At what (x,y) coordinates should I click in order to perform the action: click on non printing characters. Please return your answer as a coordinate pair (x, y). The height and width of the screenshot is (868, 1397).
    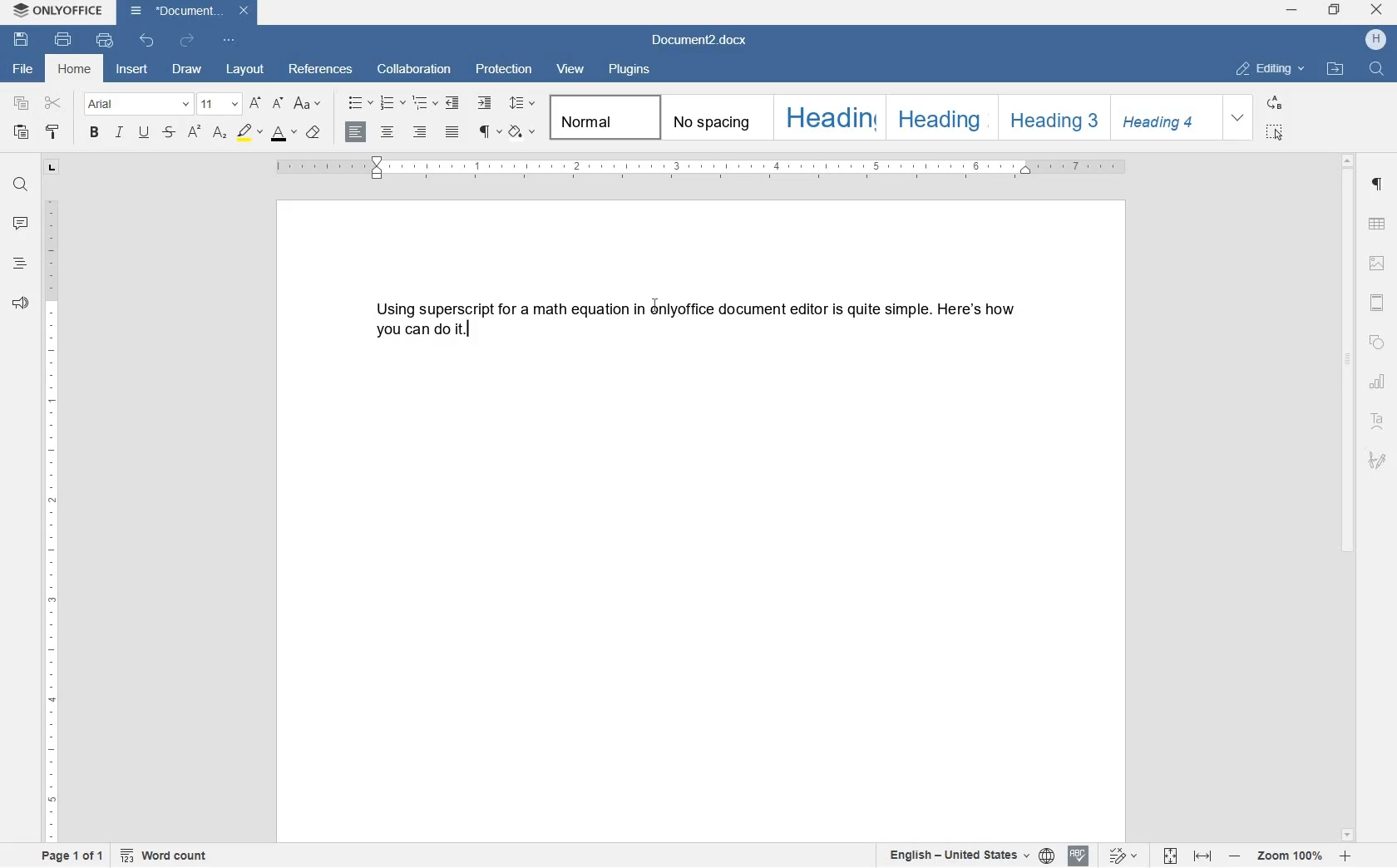
    Looking at the image, I should click on (488, 133).